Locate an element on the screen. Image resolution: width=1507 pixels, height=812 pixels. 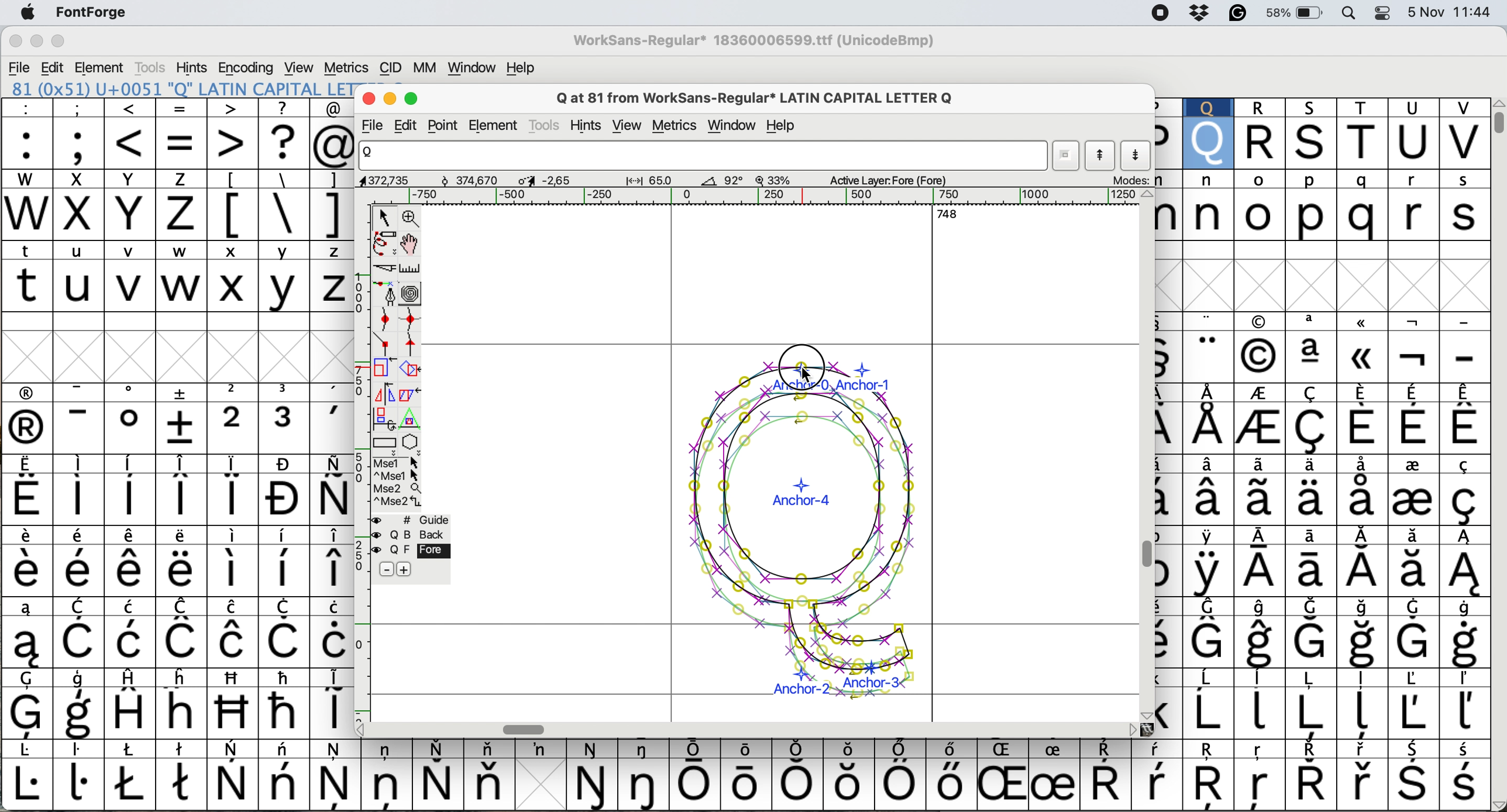
close is located at coordinates (369, 98).